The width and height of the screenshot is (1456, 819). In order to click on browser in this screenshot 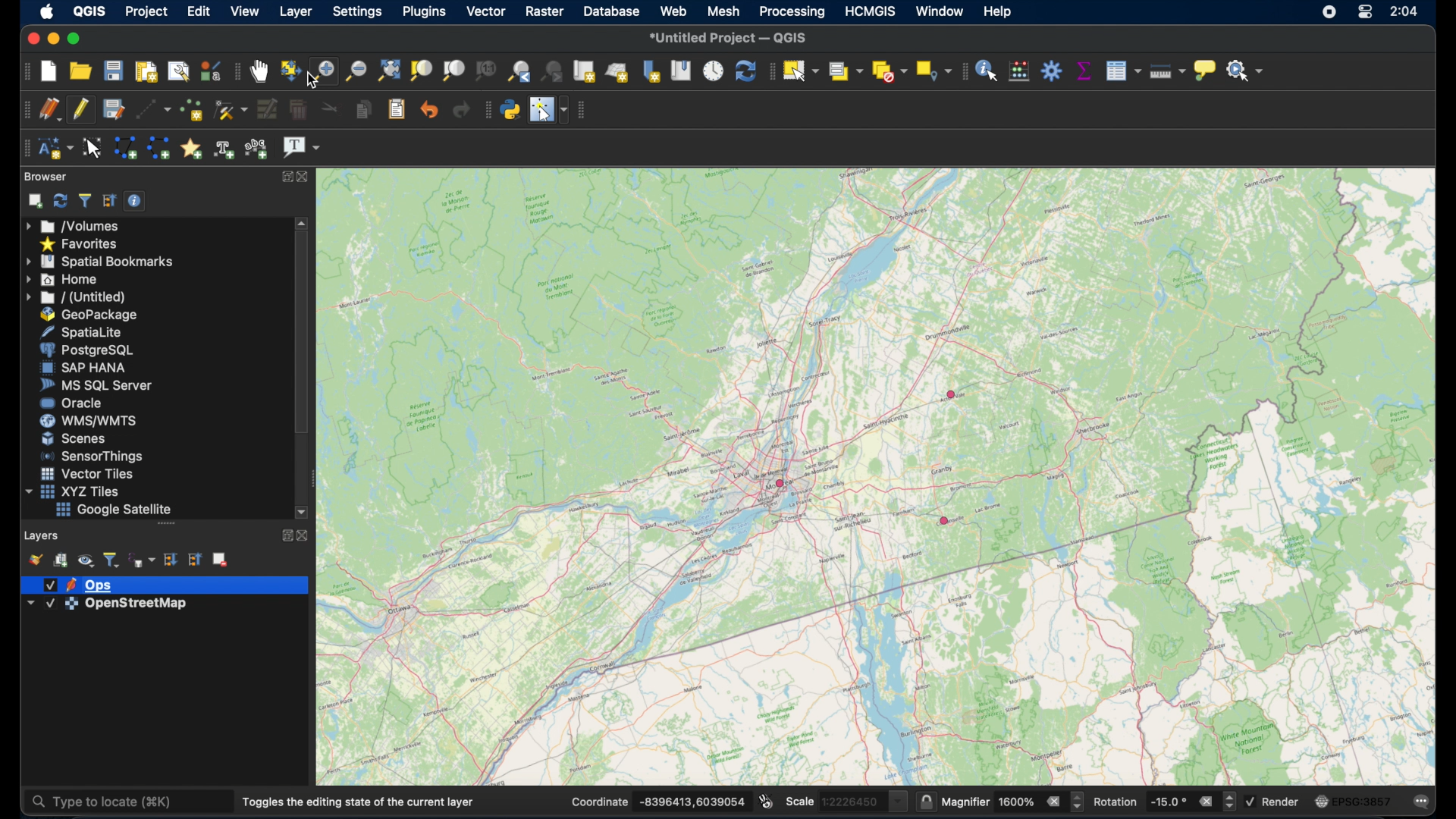, I will do `click(44, 176)`.